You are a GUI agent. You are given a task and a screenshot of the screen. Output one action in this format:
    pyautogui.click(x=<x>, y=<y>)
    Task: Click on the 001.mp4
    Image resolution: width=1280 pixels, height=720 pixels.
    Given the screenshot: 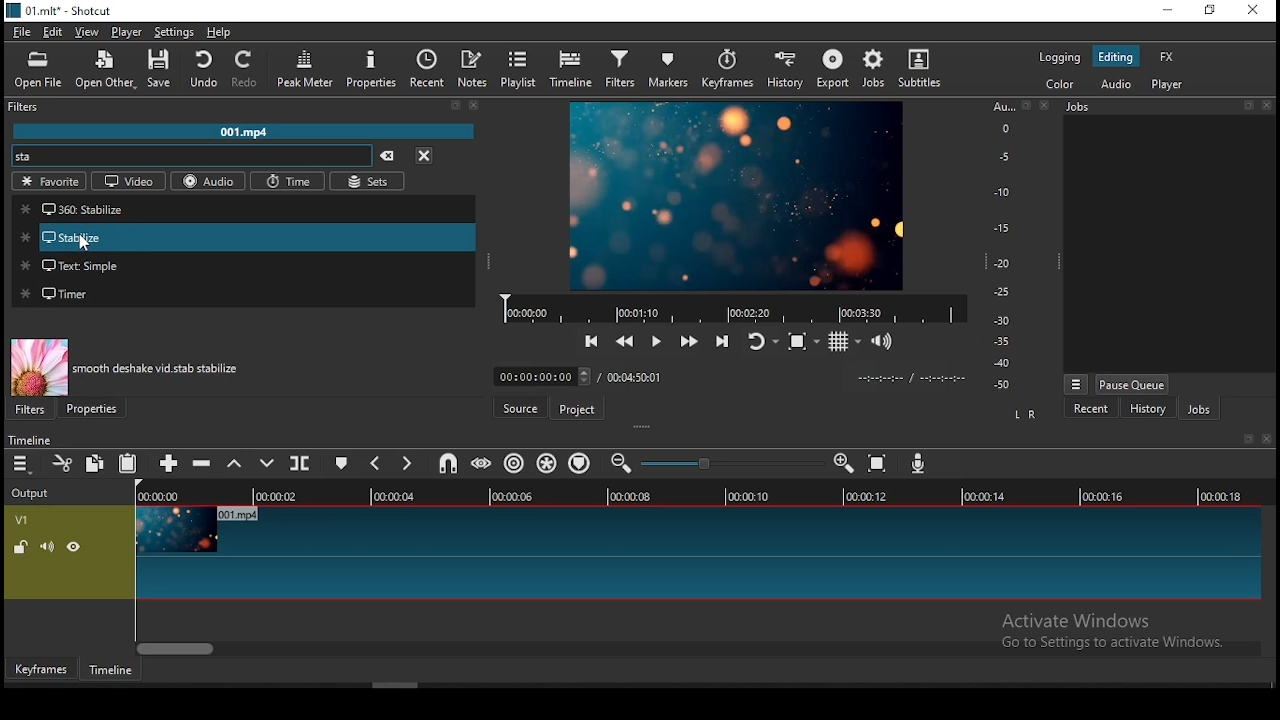 What is the action you would take?
    pyautogui.click(x=248, y=132)
    